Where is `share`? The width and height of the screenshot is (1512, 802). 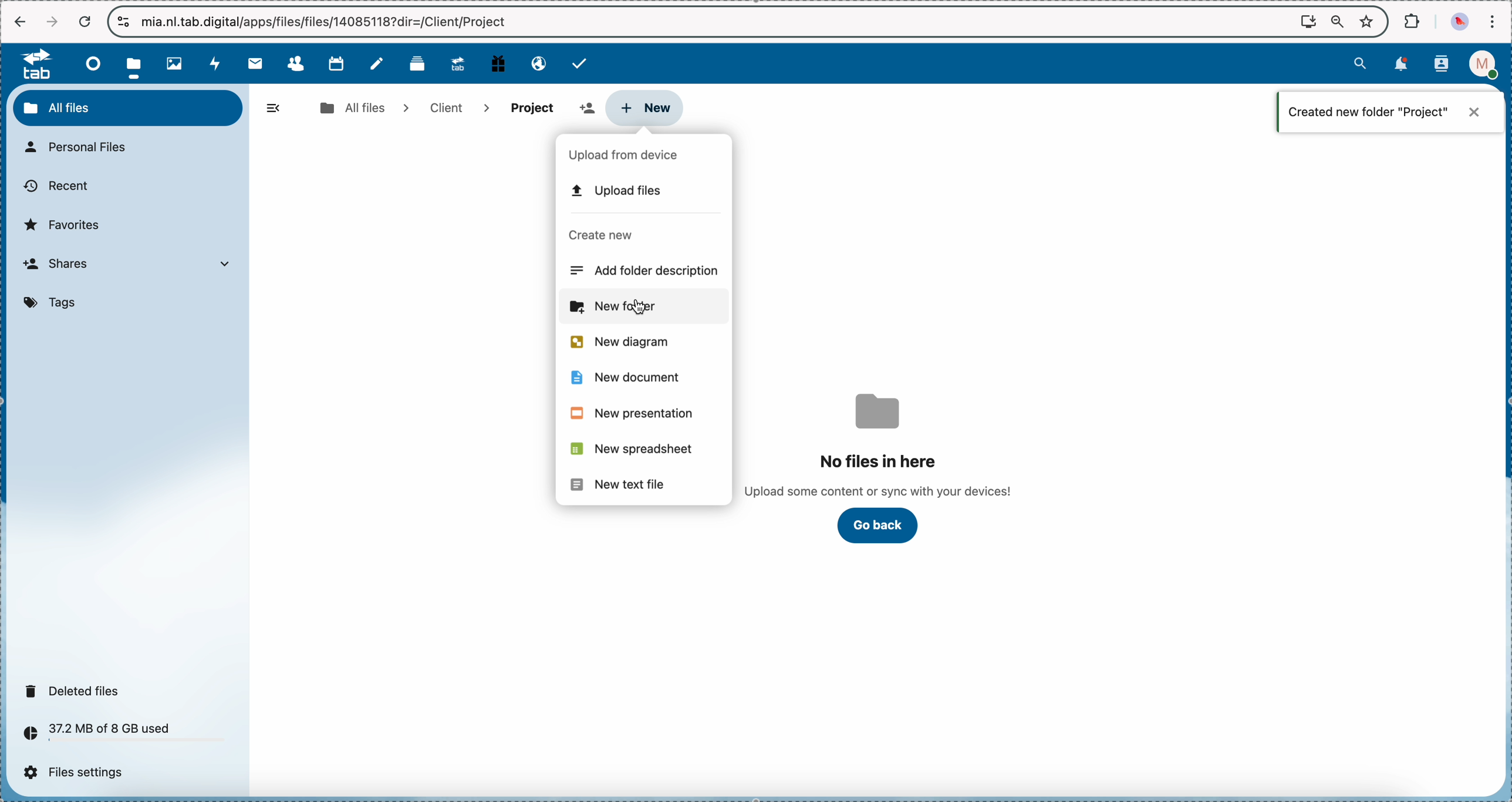
share is located at coordinates (532, 107).